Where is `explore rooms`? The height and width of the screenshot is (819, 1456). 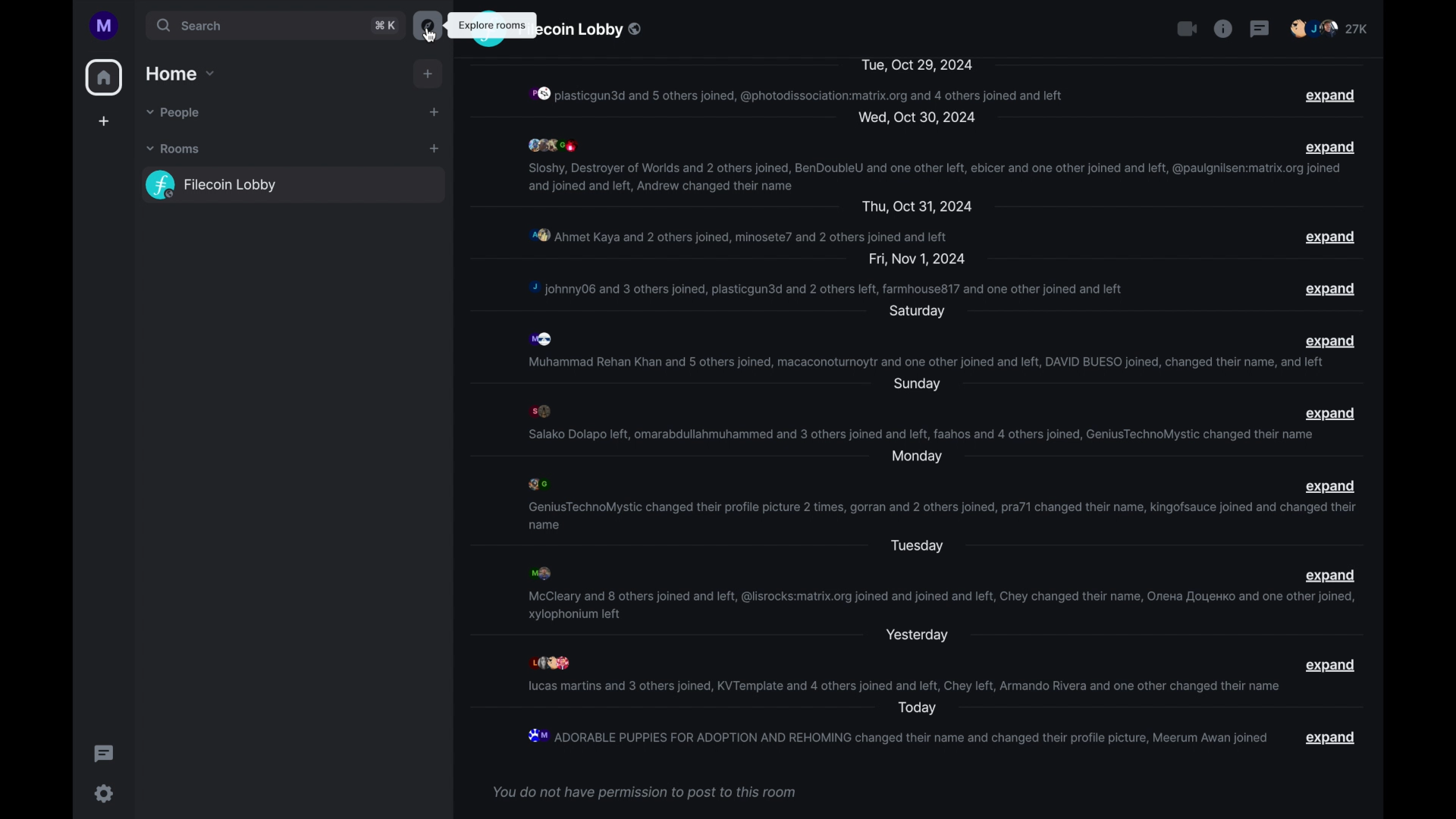 explore rooms is located at coordinates (427, 26).